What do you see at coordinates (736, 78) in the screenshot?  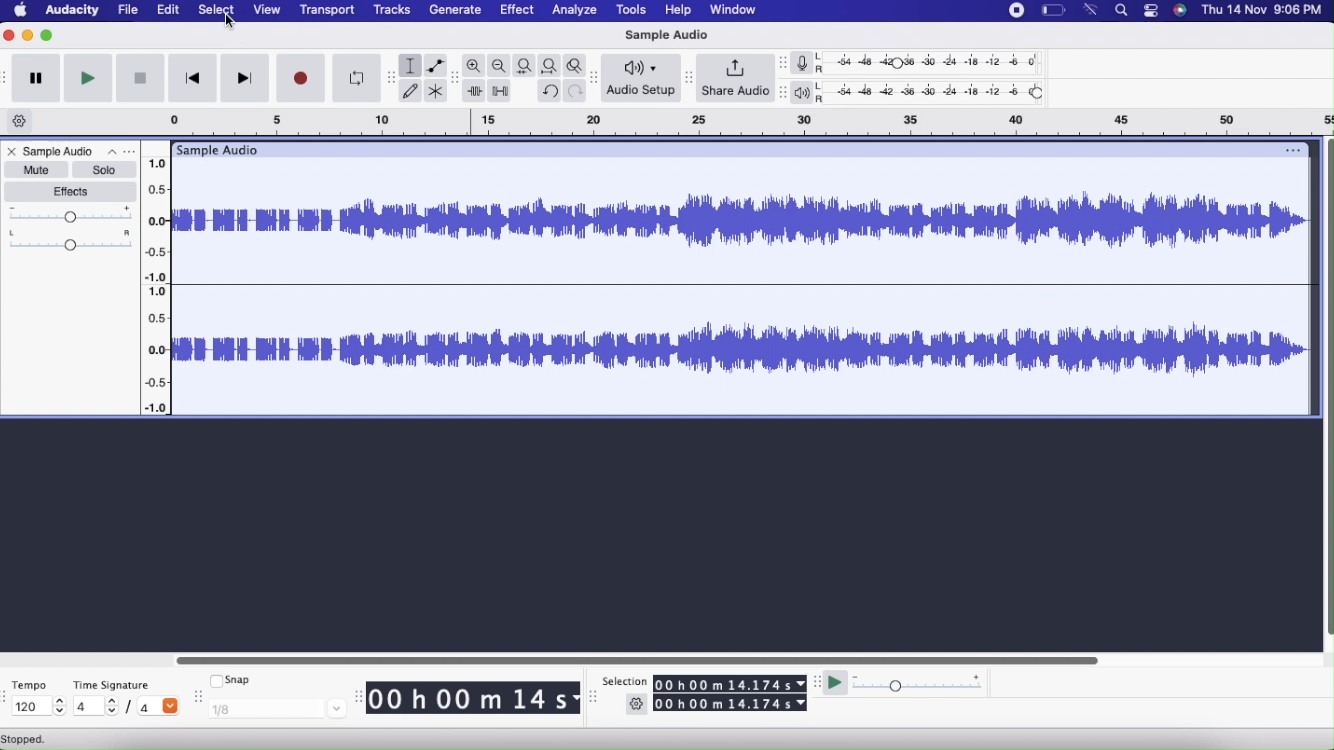 I see `Share Audio` at bounding box center [736, 78].